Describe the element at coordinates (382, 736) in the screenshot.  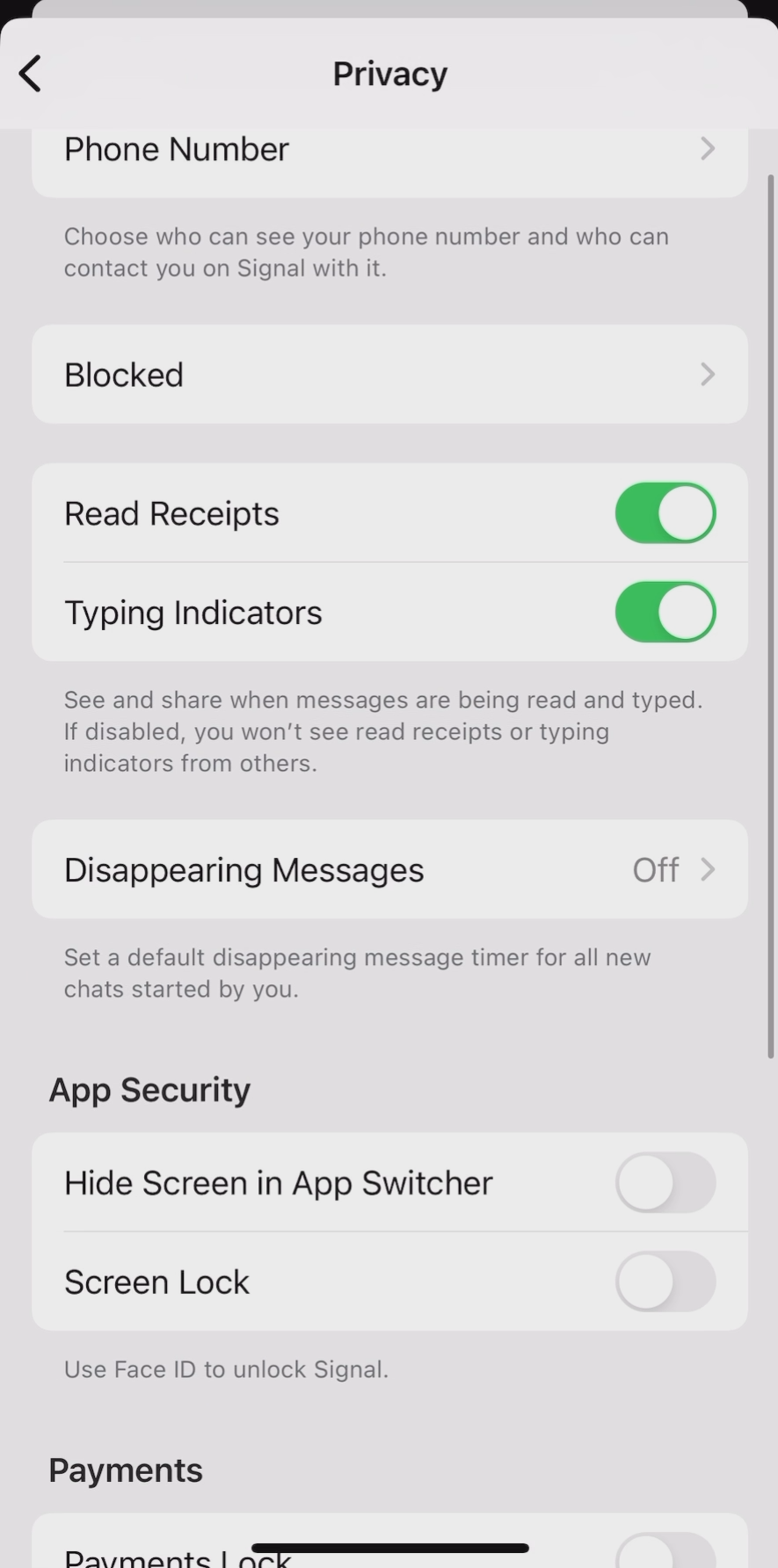
I see `informative text` at that location.